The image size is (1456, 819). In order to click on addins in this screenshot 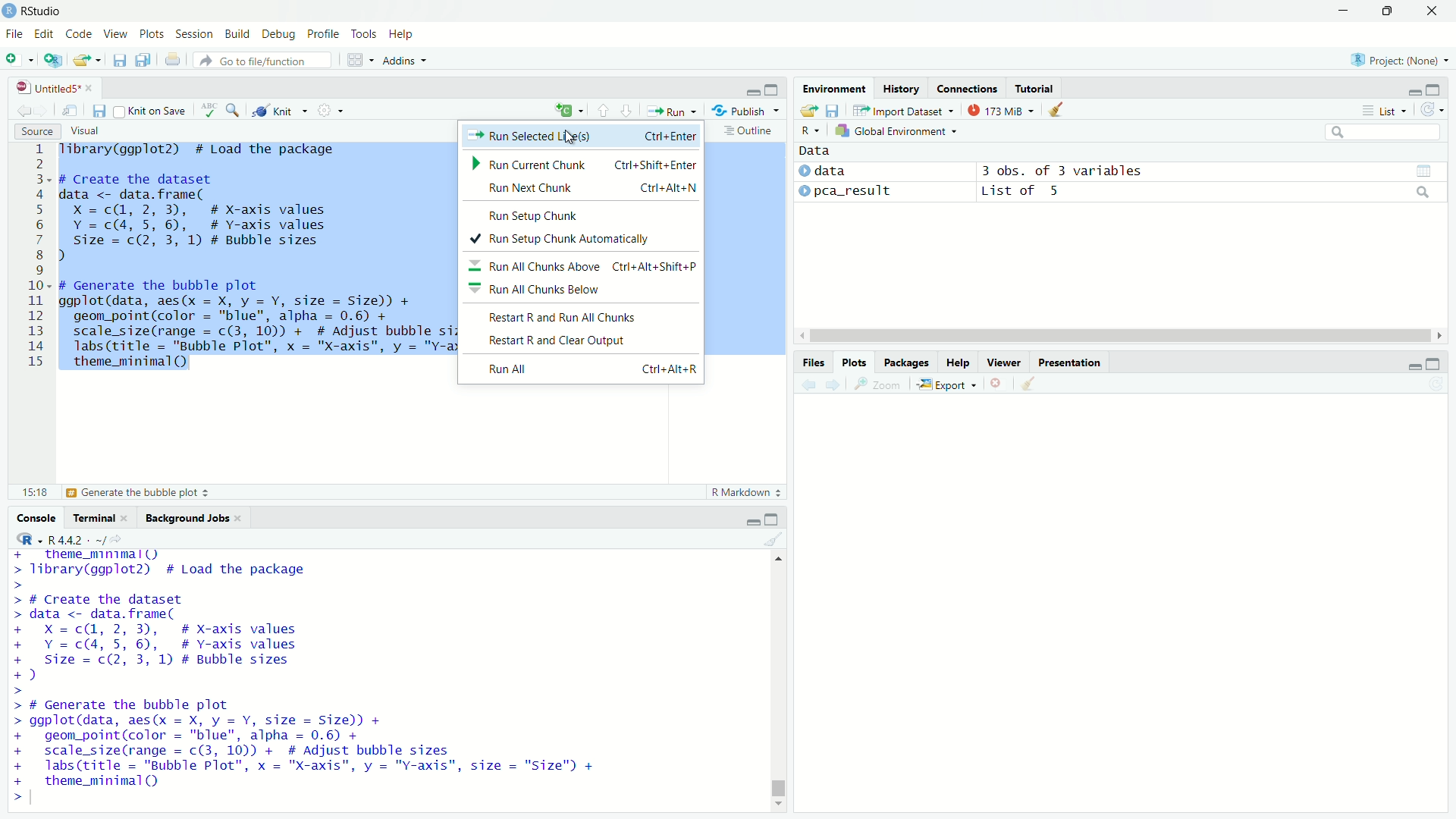, I will do `click(403, 61)`.